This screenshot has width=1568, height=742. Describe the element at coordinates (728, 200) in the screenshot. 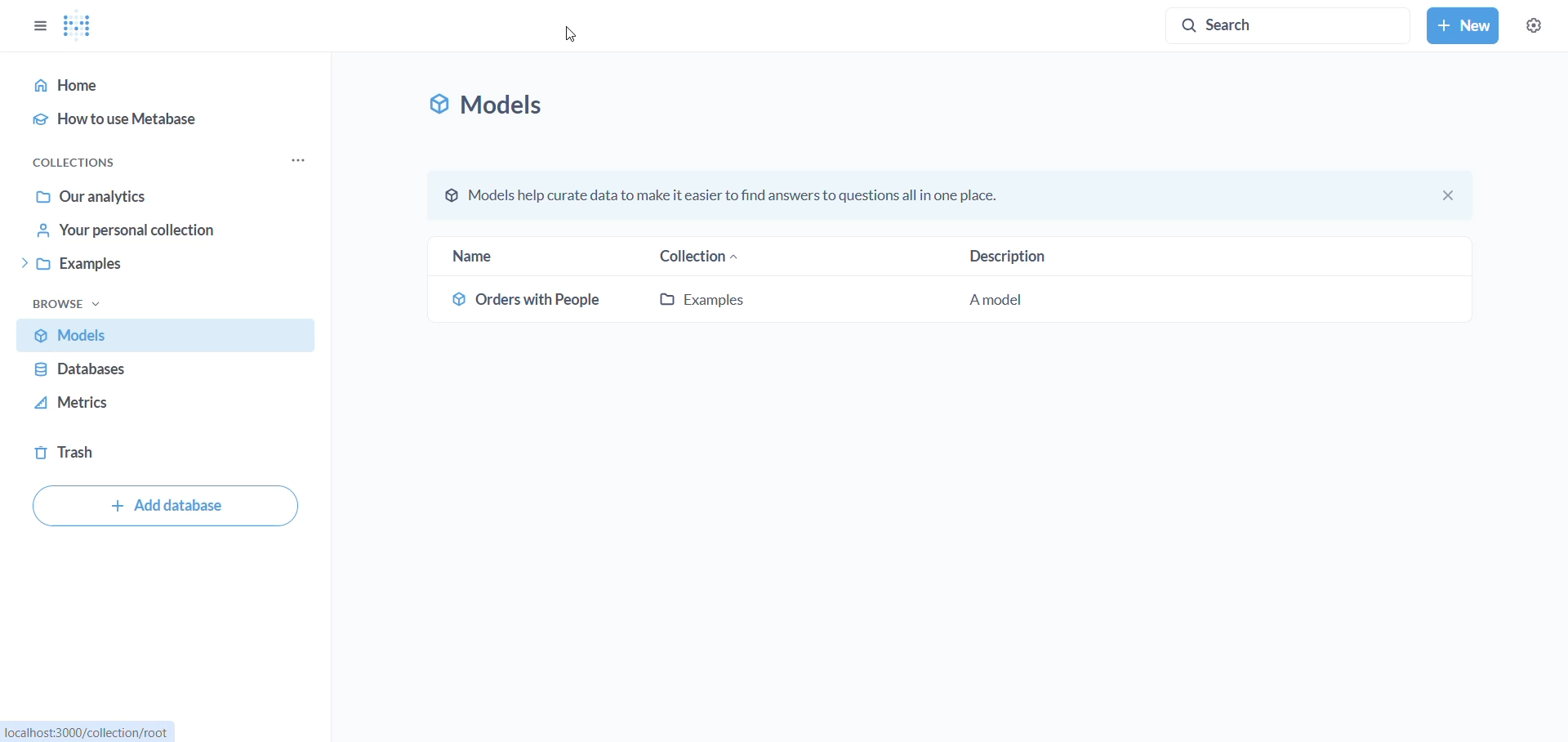

I see `© Models help curate data to make it easier to find answers to questions all in one place.` at that location.